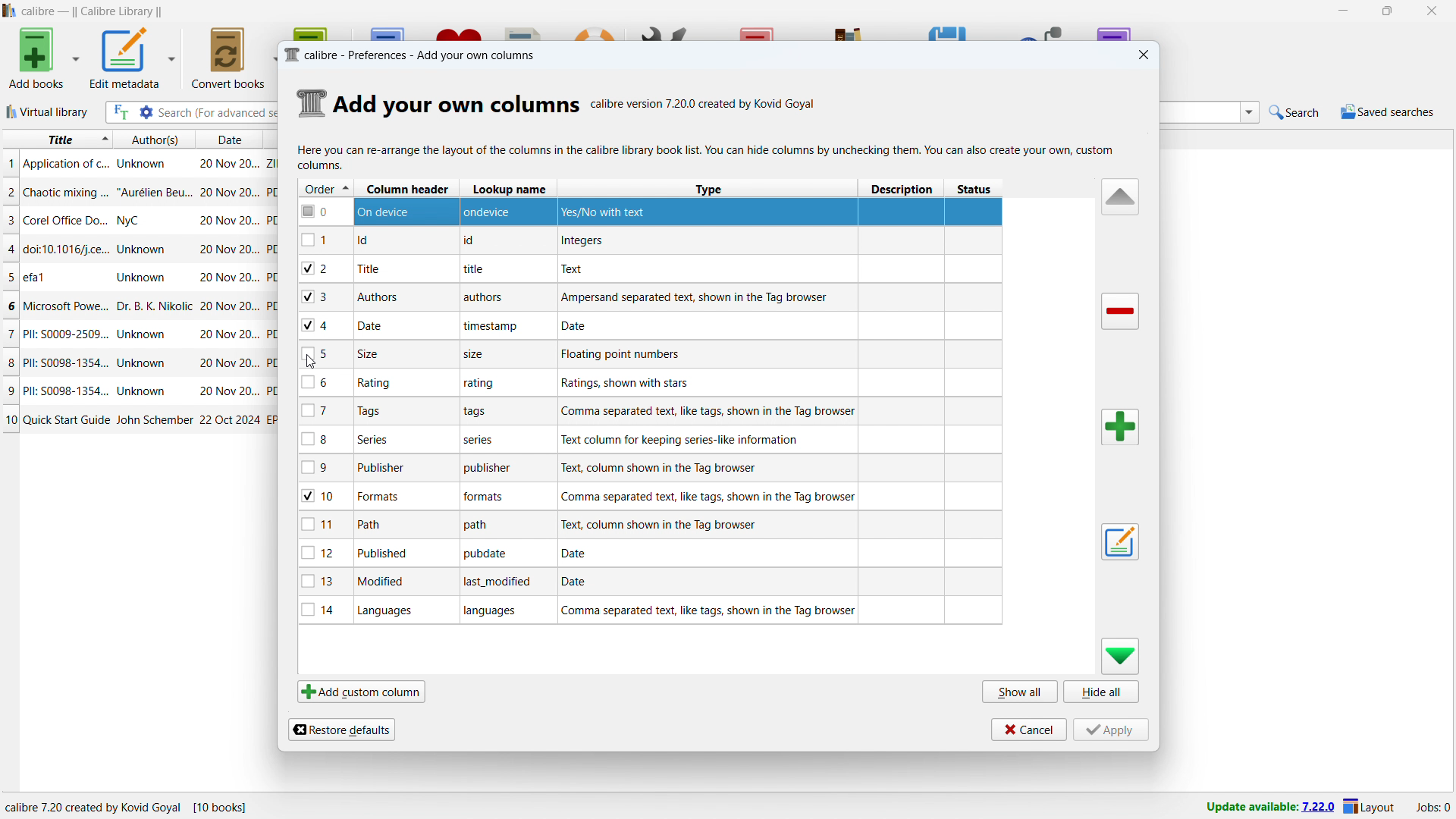 The width and height of the screenshot is (1456, 819). I want to click on 2, so click(9, 191).